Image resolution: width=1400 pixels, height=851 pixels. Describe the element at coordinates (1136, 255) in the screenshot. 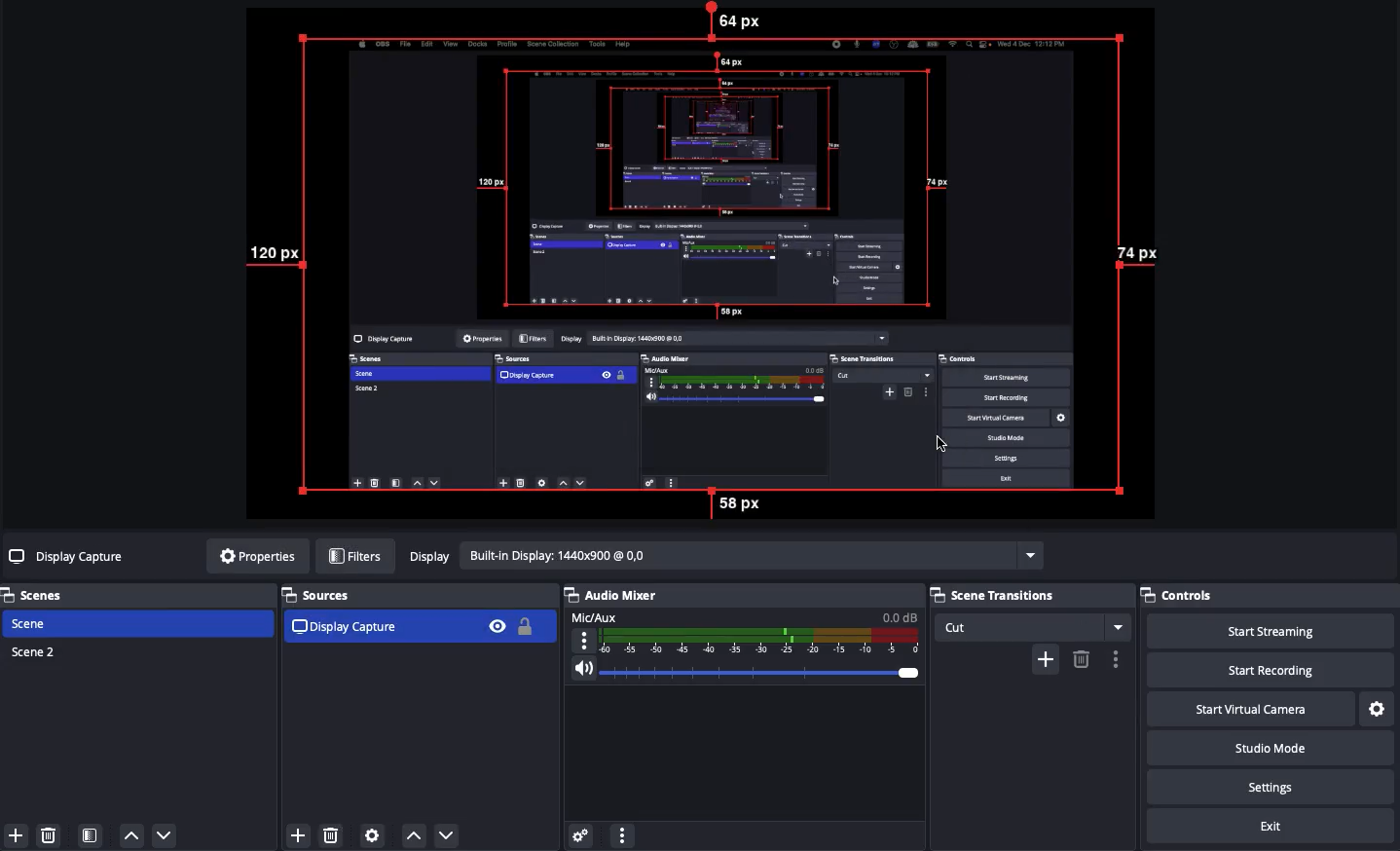

I see `74 px` at that location.